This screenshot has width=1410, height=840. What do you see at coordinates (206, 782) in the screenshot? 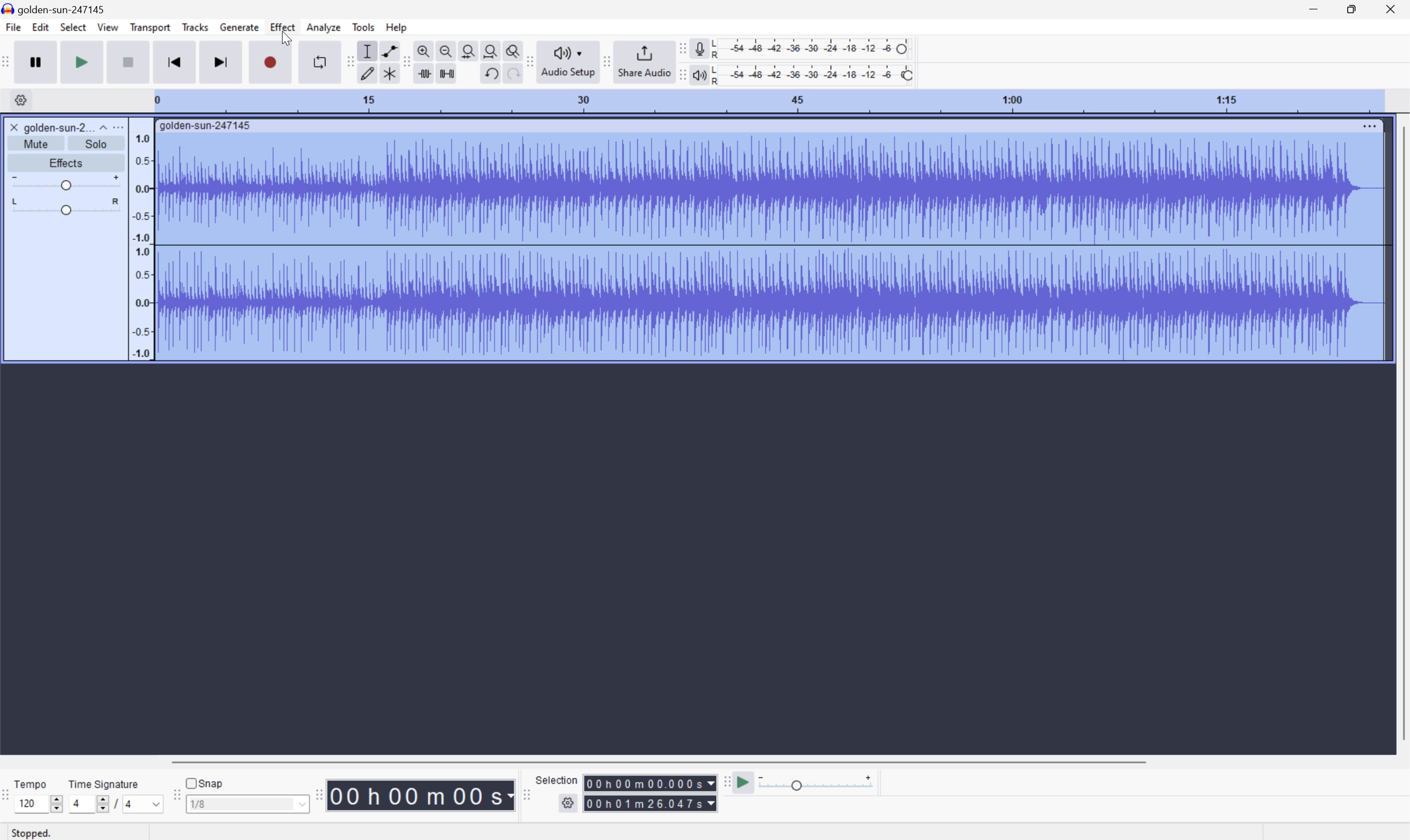
I see `Snap` at bounding box center [206, 782].